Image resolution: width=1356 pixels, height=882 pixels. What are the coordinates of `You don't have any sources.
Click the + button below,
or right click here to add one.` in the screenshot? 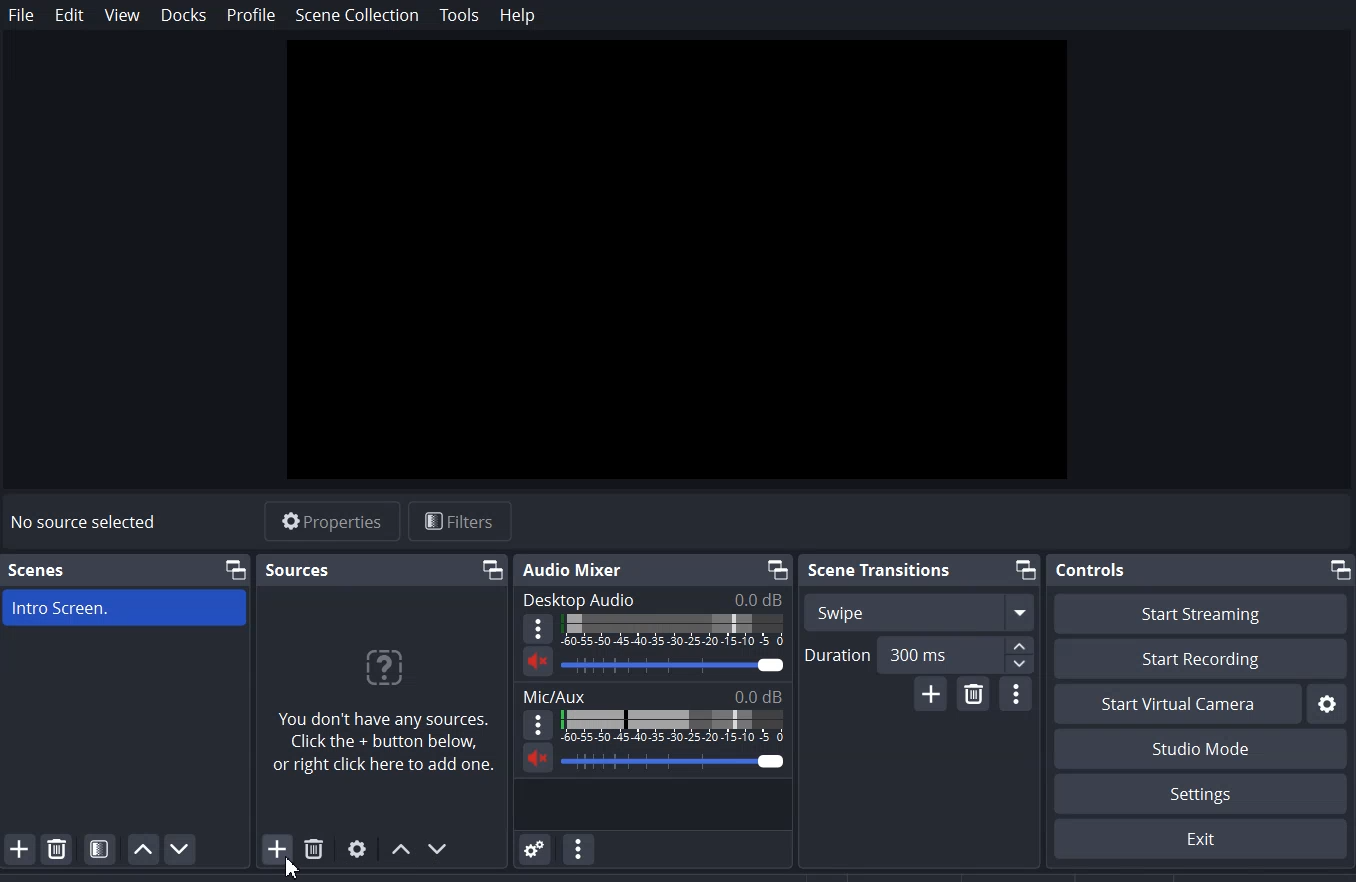 It's located at (387, 753).